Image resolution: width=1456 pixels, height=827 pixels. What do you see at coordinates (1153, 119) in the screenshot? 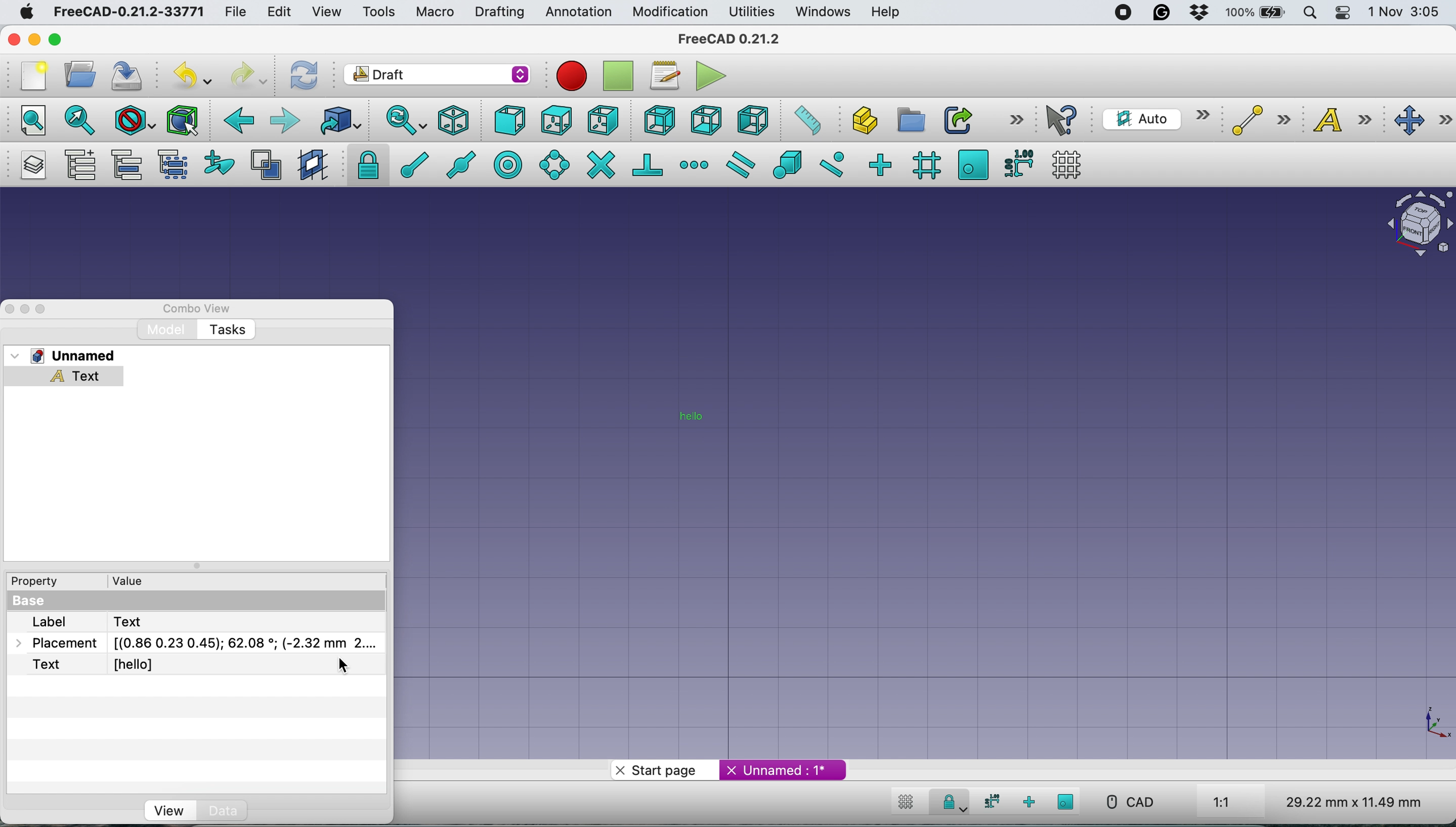
I see `current working plane` at bounding box center [1153, 119].